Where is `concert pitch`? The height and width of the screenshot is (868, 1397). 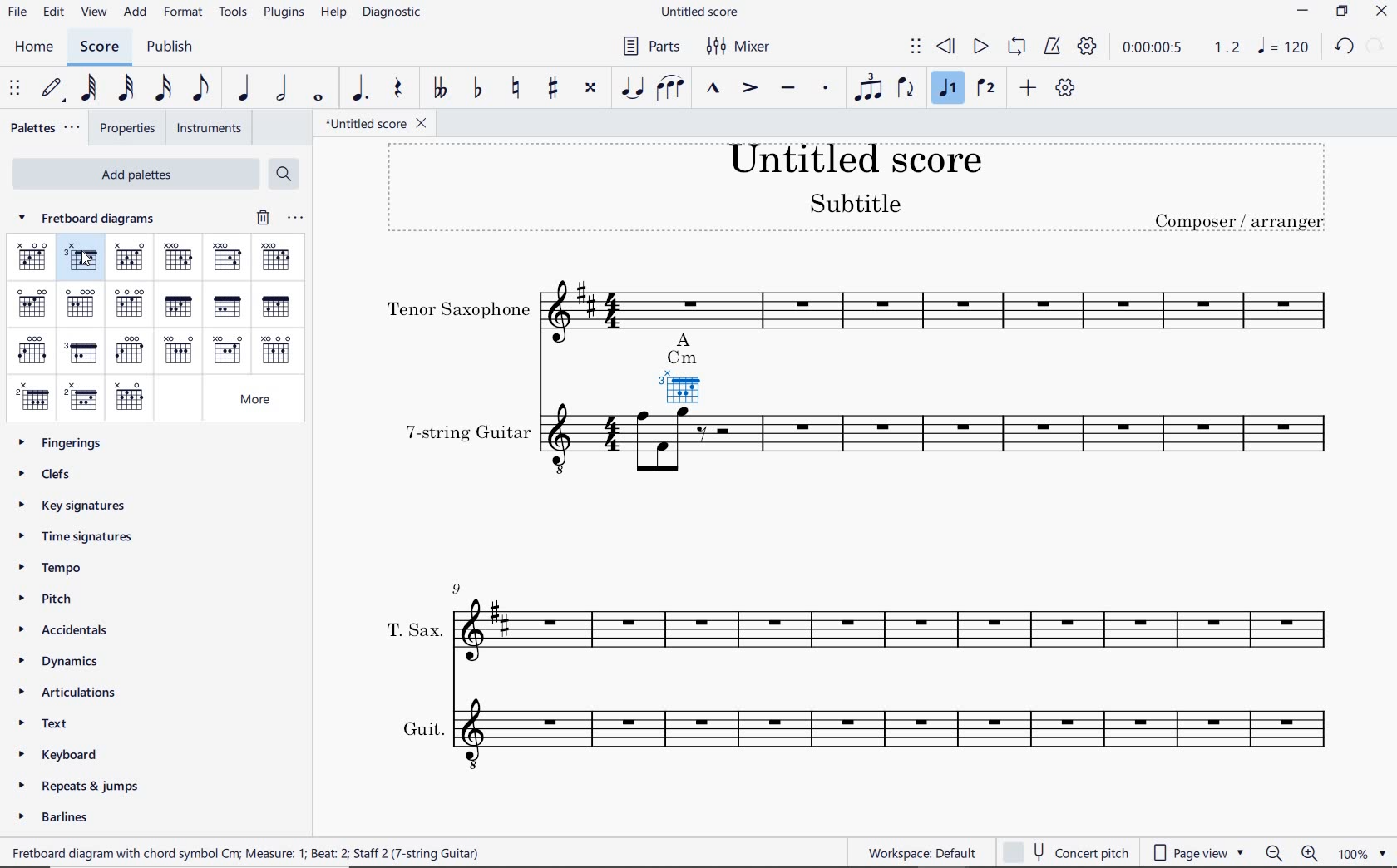 concert pitch is located at coordinates (1067, 851).